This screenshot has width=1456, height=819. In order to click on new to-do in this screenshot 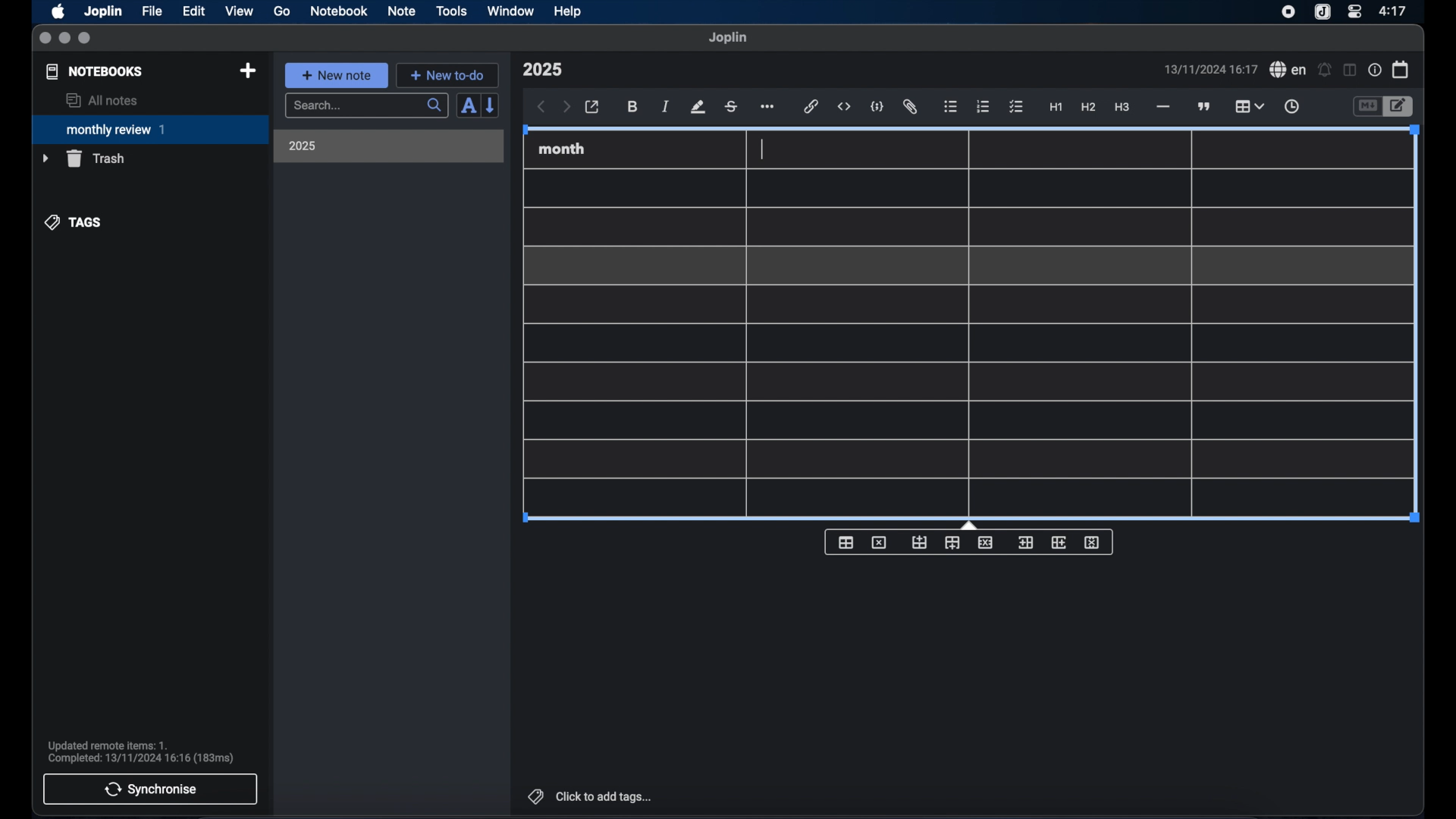, I will do `click(448, 75)`.